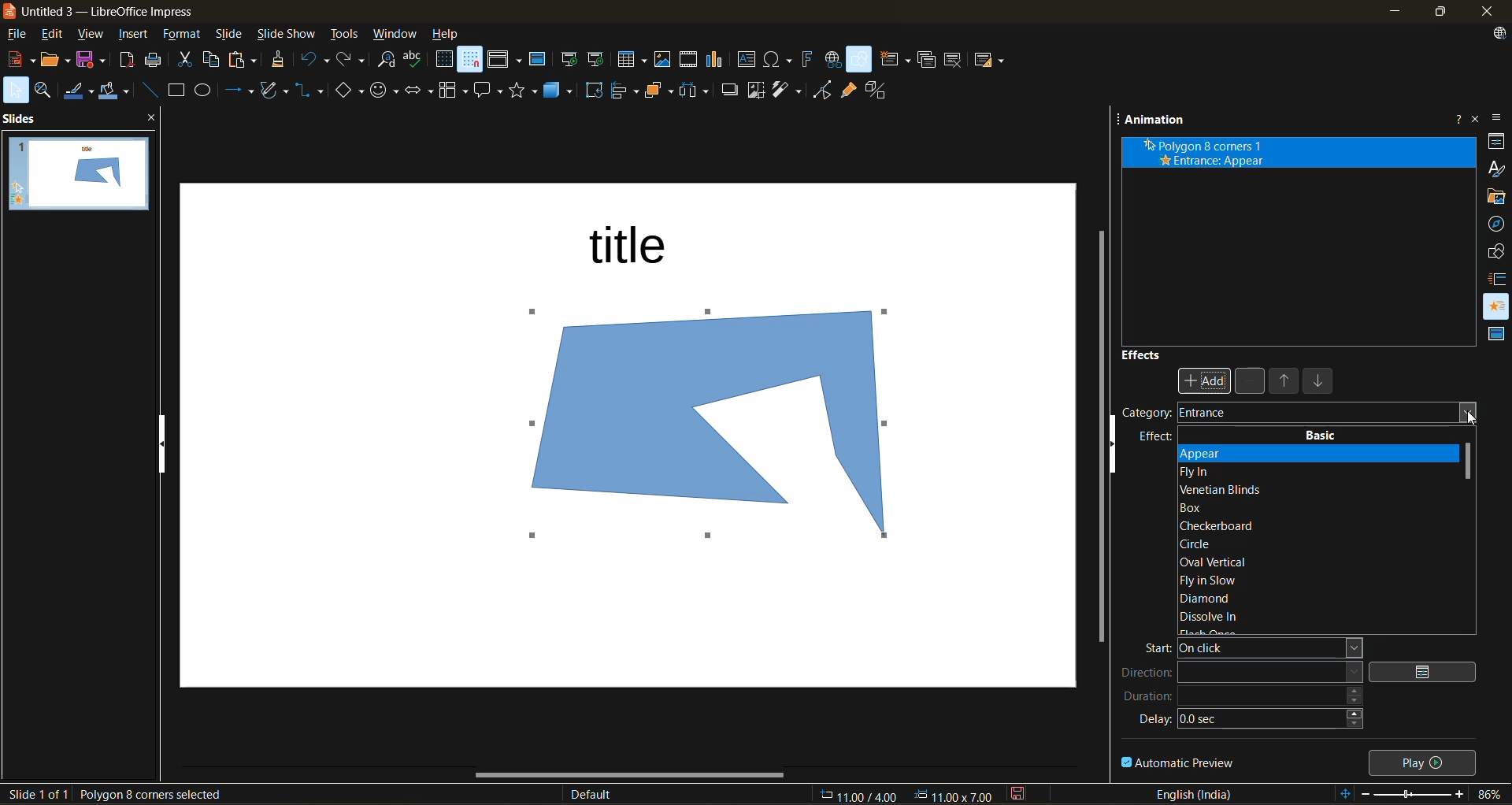 This screenshot has height=805, width=1512. I want to click on close, so click(1490, 13).